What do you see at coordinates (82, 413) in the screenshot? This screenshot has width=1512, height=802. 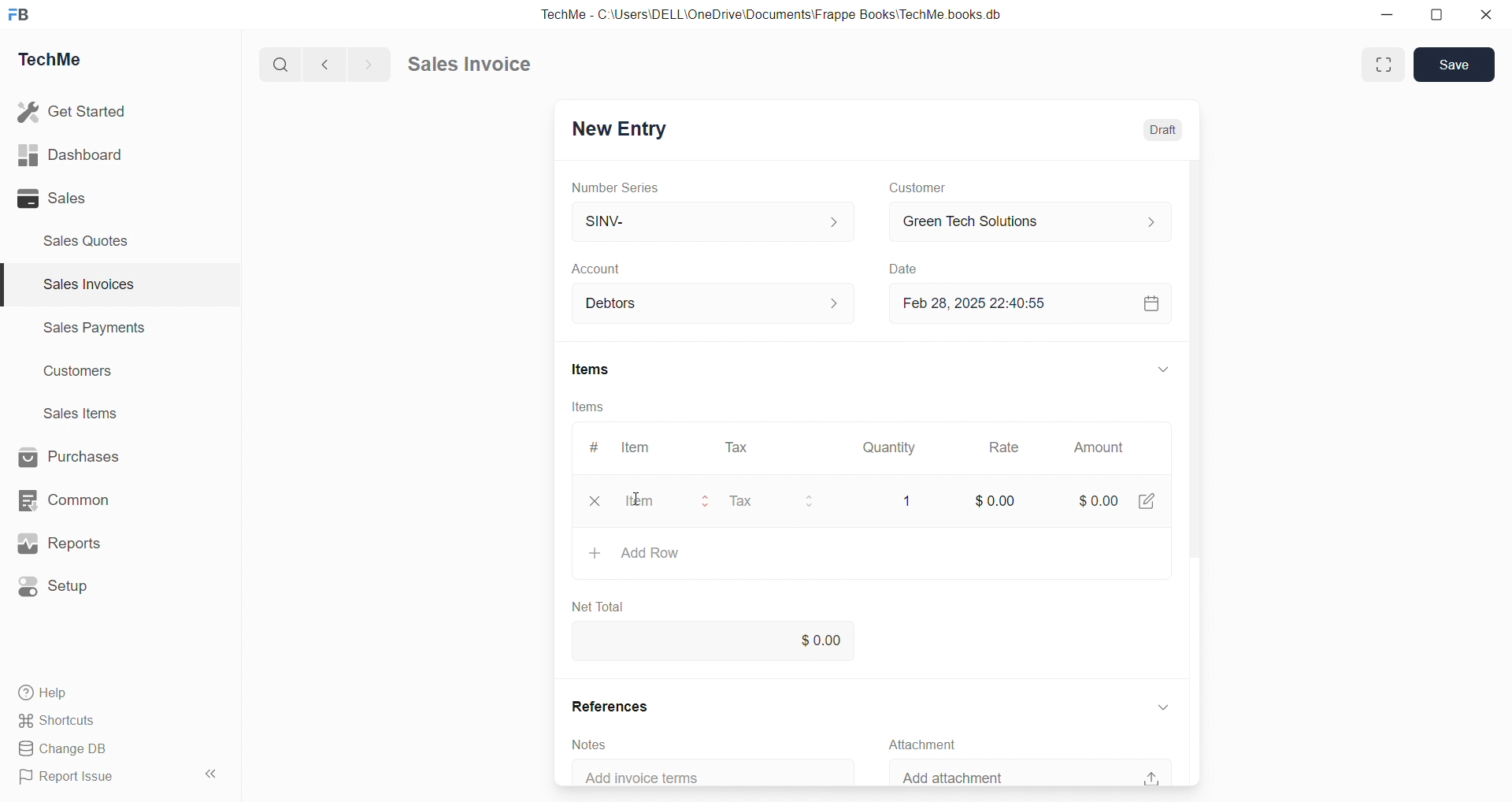 I see `Sales items` at bounding box center [82, 413].